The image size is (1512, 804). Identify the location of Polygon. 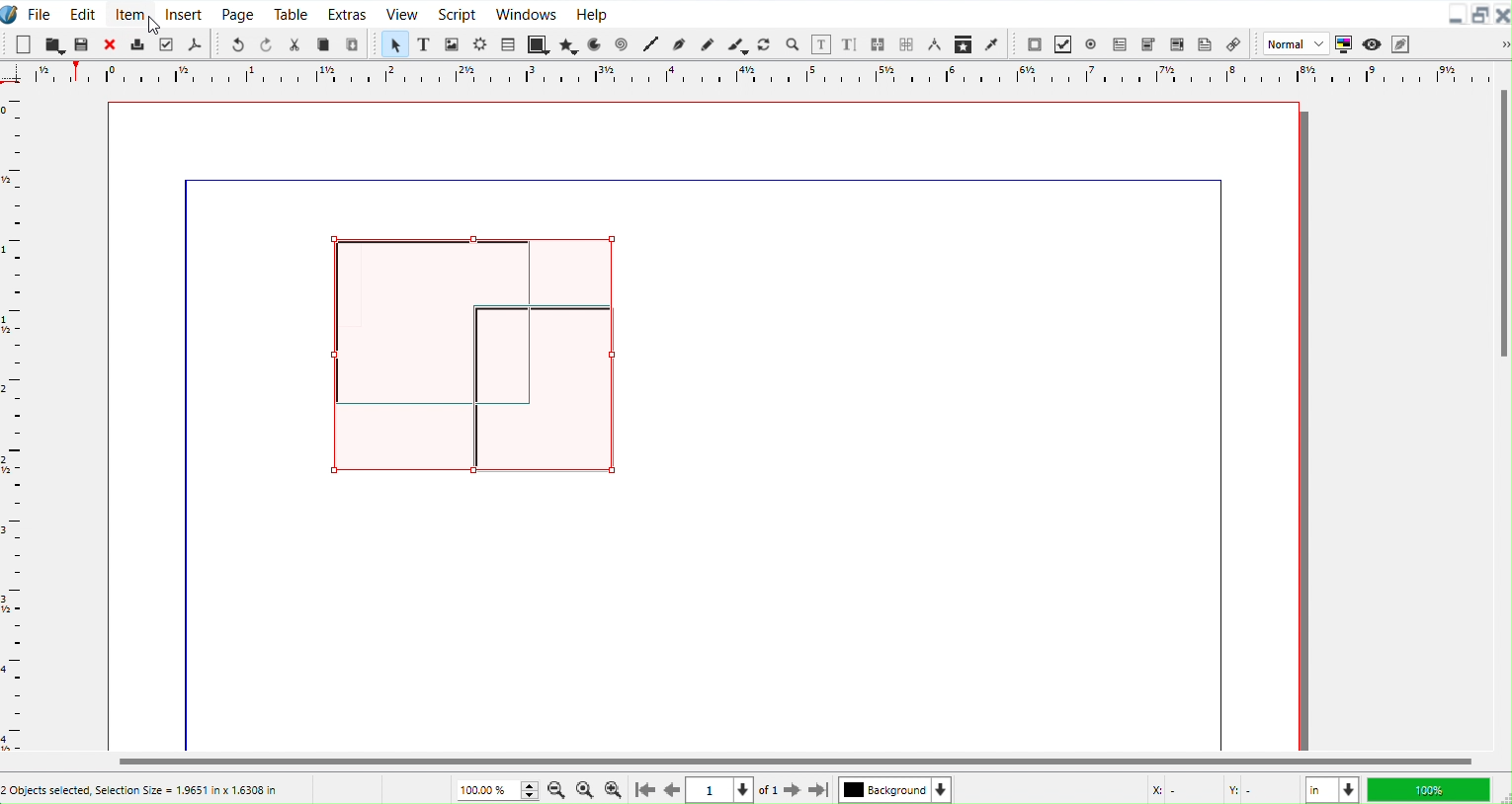
(569, 45).